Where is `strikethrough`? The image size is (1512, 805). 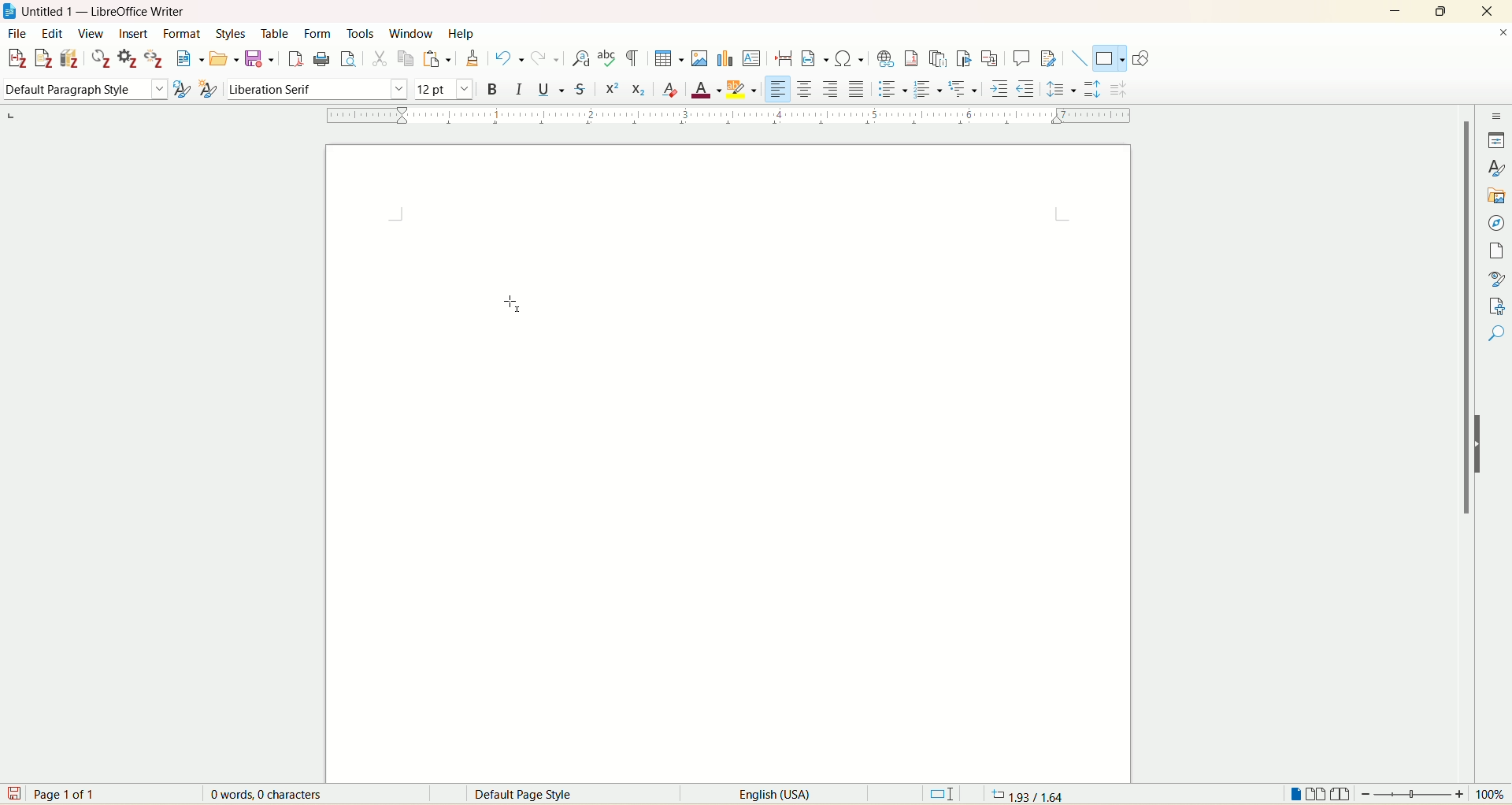 strikethrough is located at coordinates (579, 90).